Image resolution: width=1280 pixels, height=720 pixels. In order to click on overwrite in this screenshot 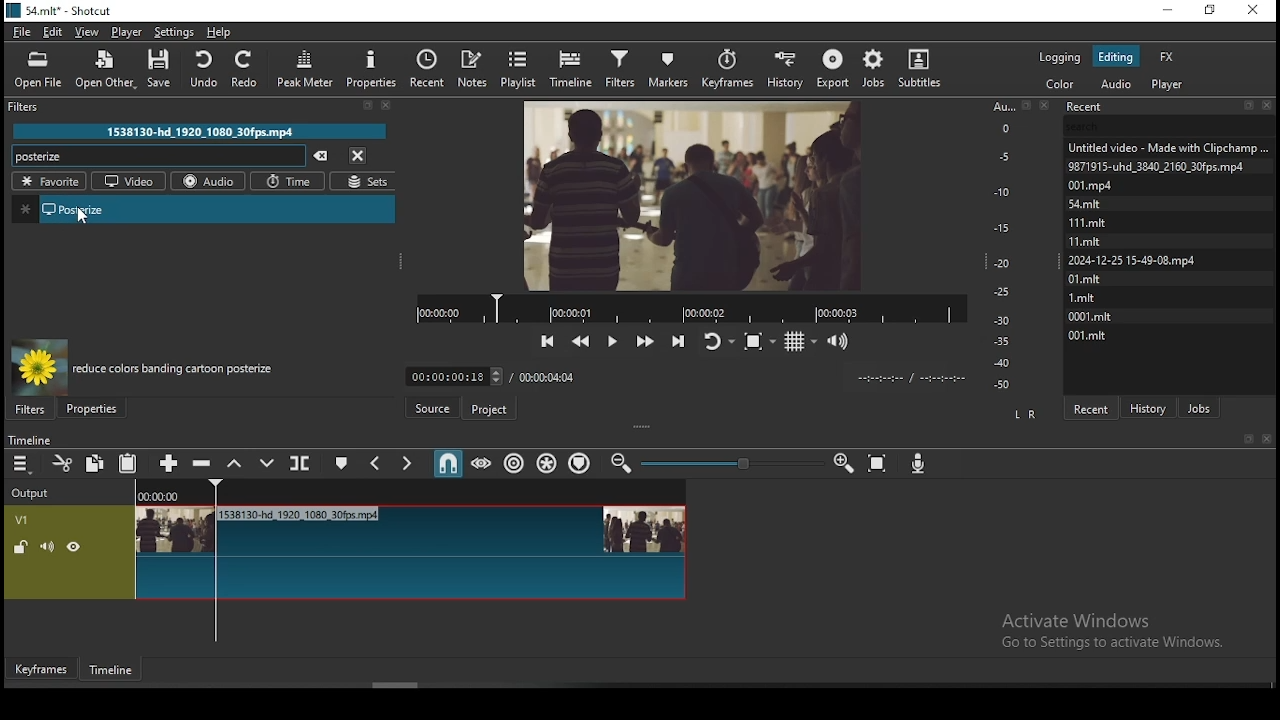, I will do `click(267, 464)`.